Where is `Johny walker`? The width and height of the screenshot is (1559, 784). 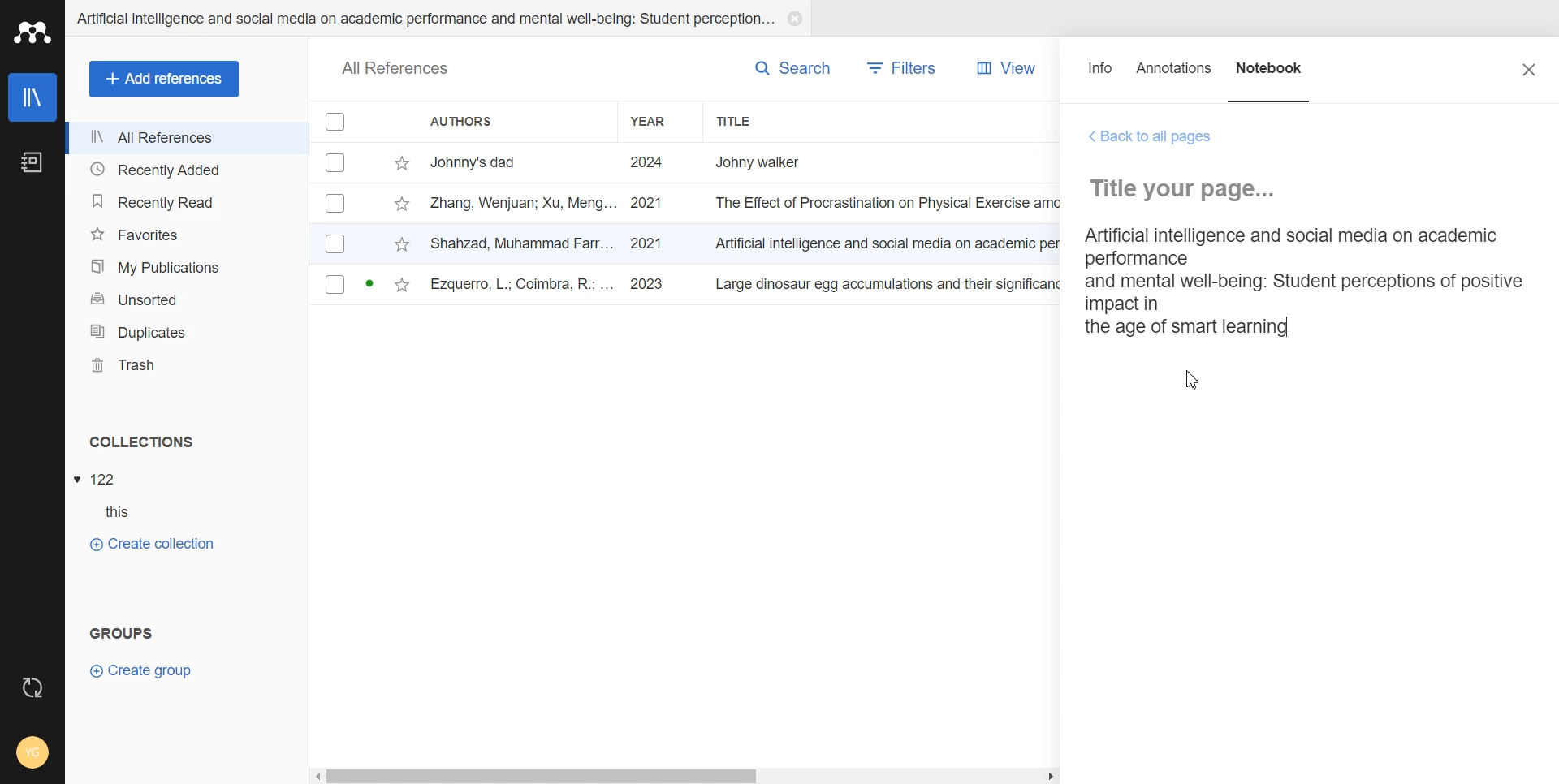
Johny walker is located at coordinates (775, 161).